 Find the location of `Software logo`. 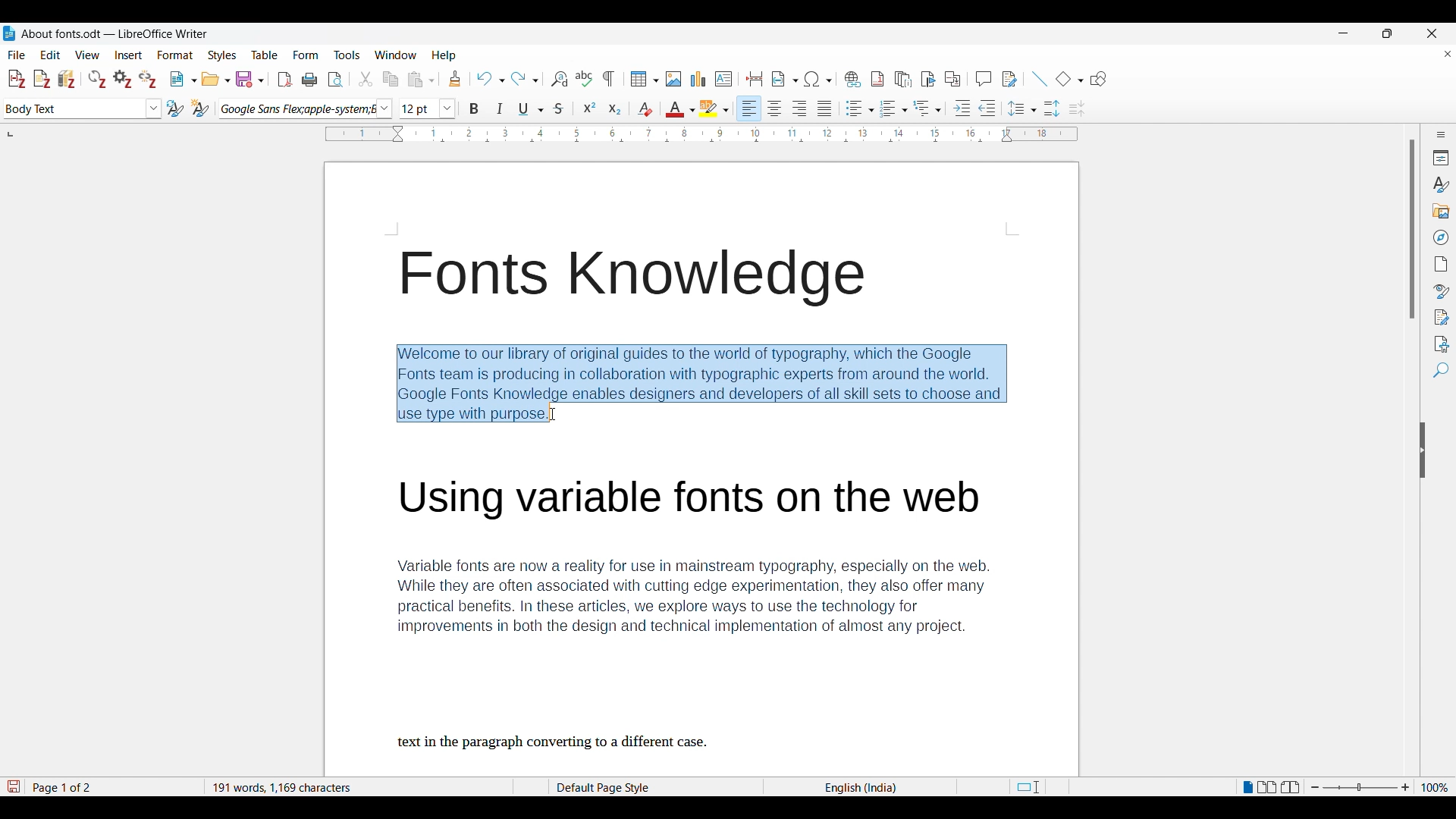

Software logo is located at coordinates (9, 33).